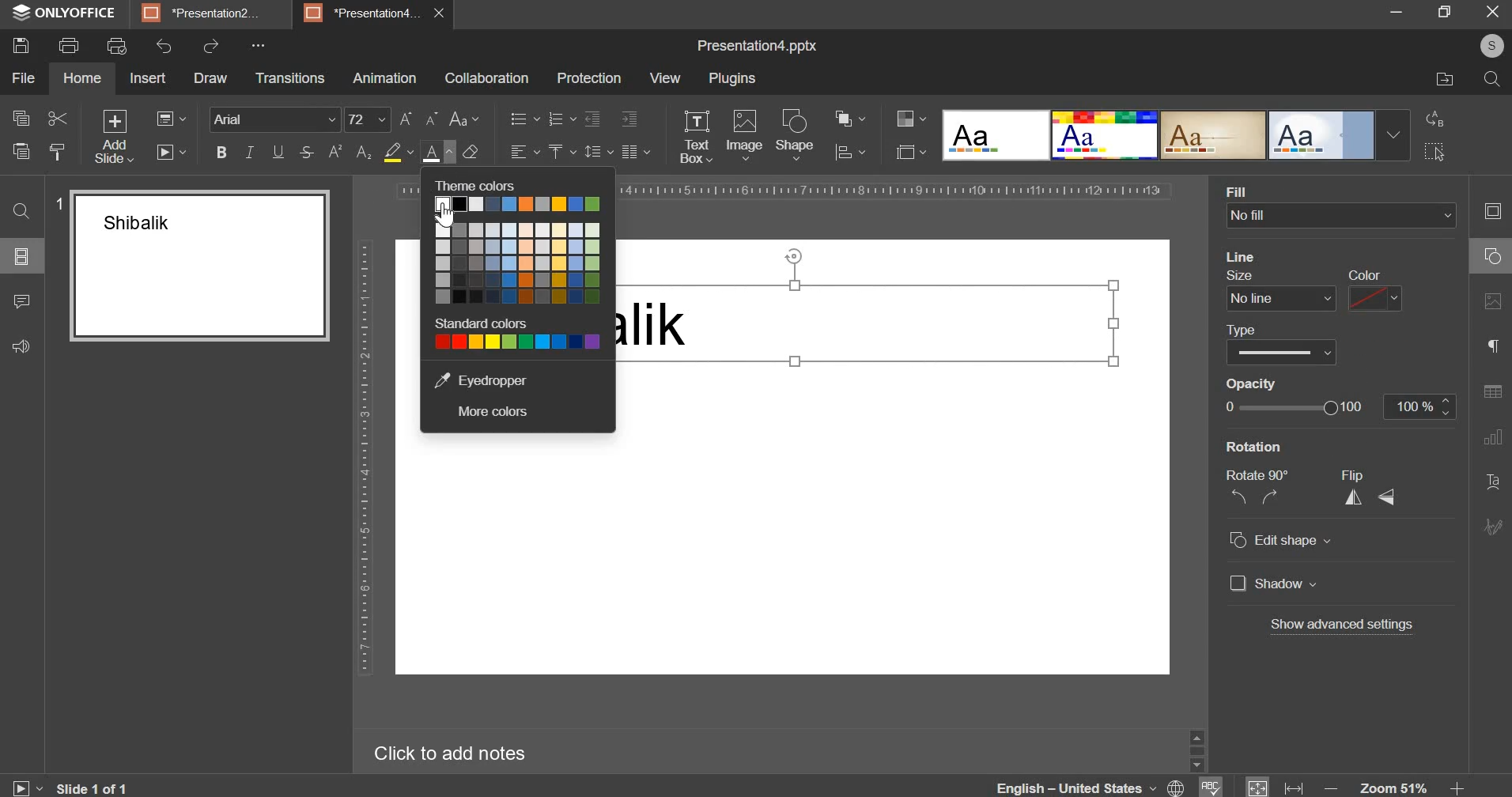  Describe the element at coordinates (1248, 255) in the screenshot. I see `line` at that location.